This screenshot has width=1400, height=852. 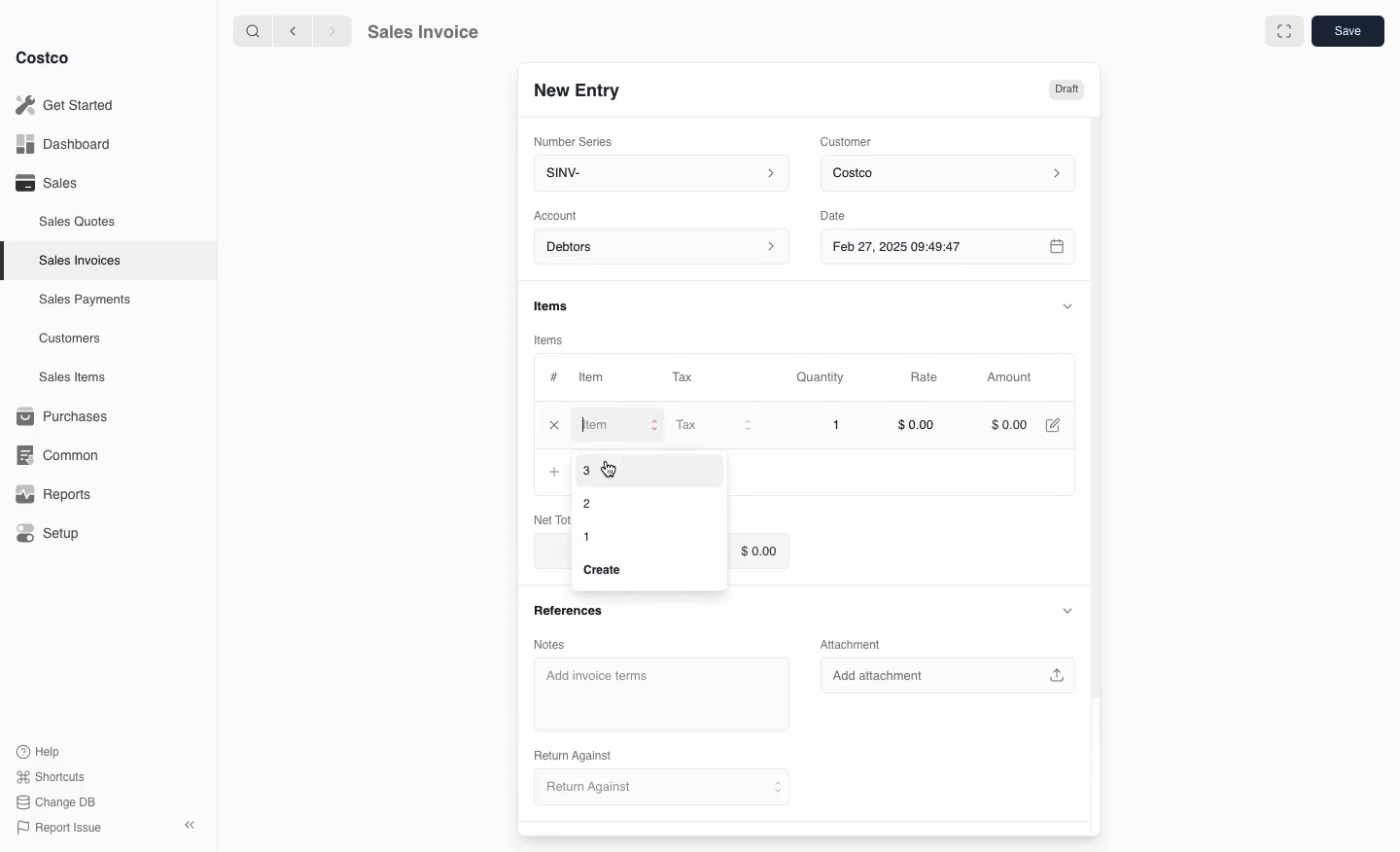 I want to click on Add attachment, so click(x=950, y=676).